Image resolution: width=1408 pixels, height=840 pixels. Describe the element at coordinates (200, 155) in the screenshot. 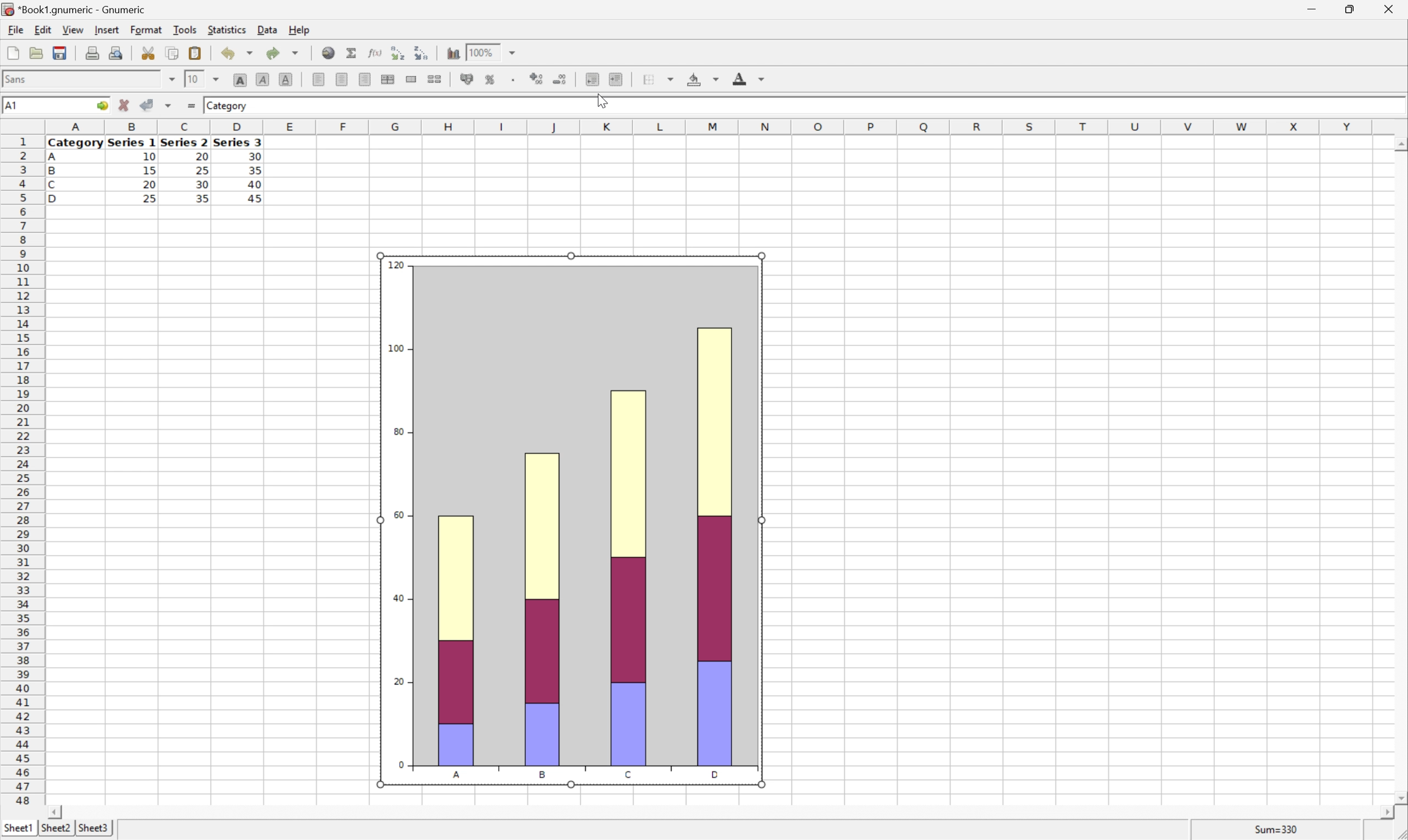

I see `20` at that location.